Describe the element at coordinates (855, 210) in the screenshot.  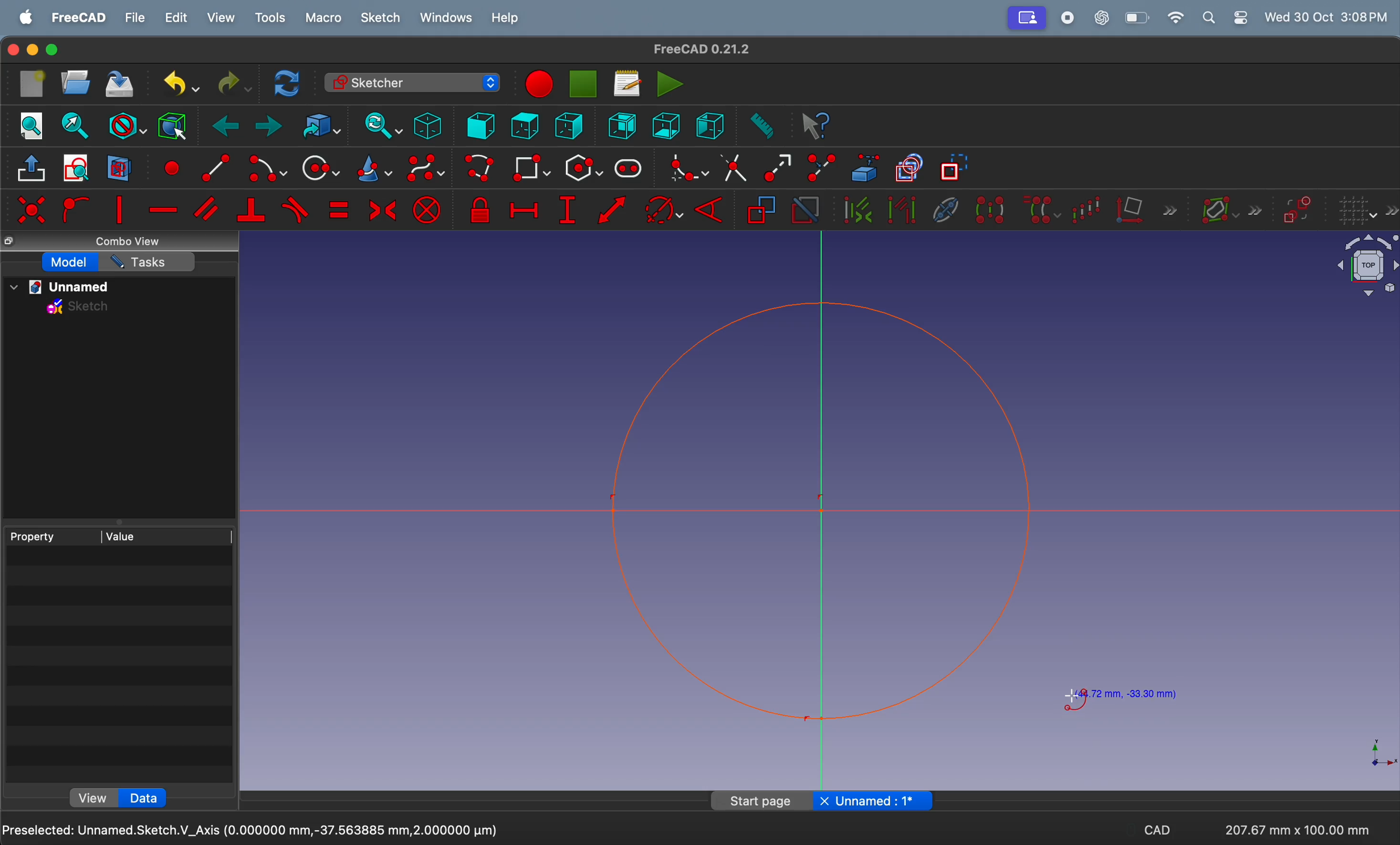
I see `select associated contrsaints` at that location.